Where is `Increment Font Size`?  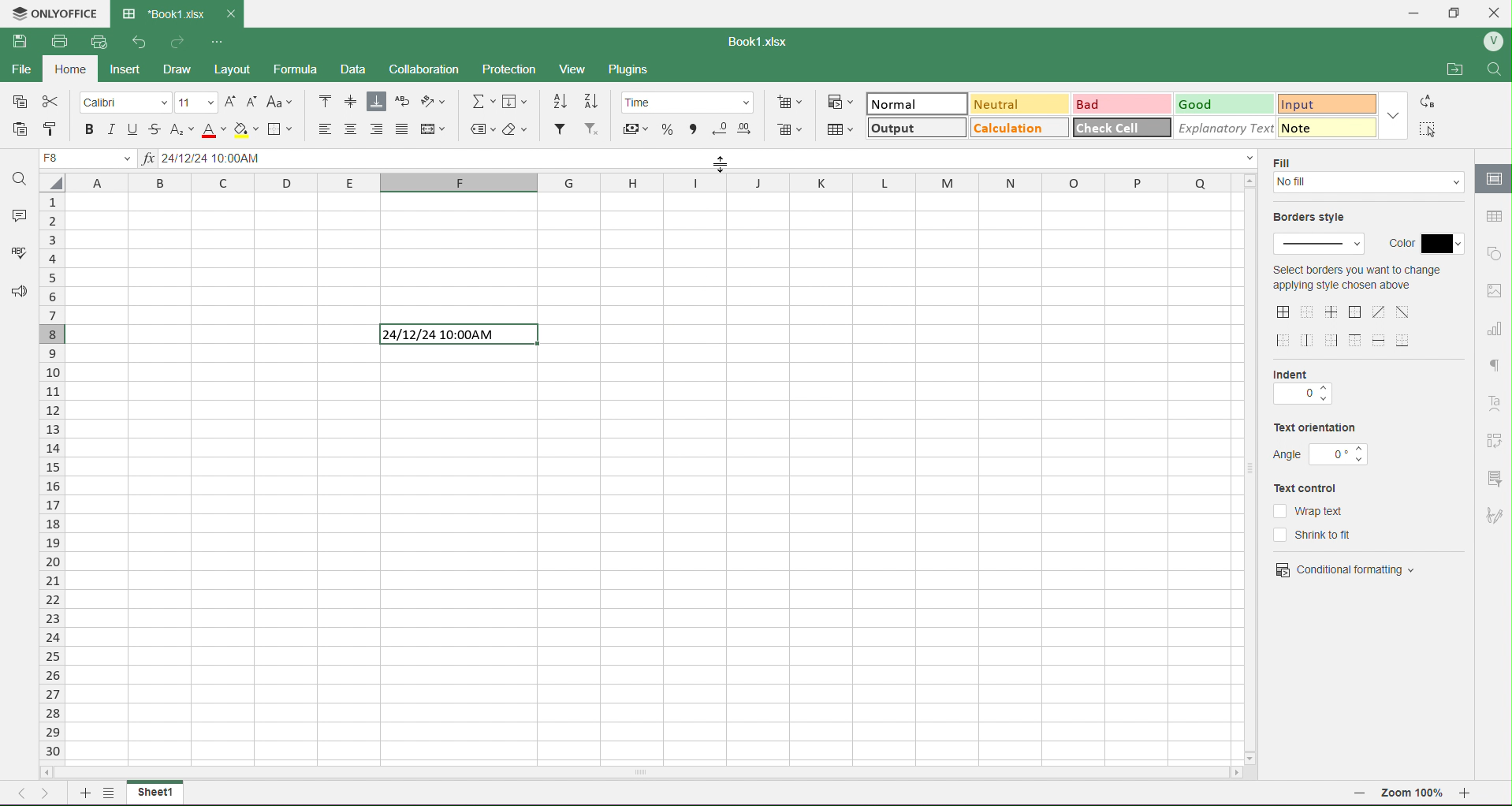 Increment Font Size is located at coordinates (229, 98).